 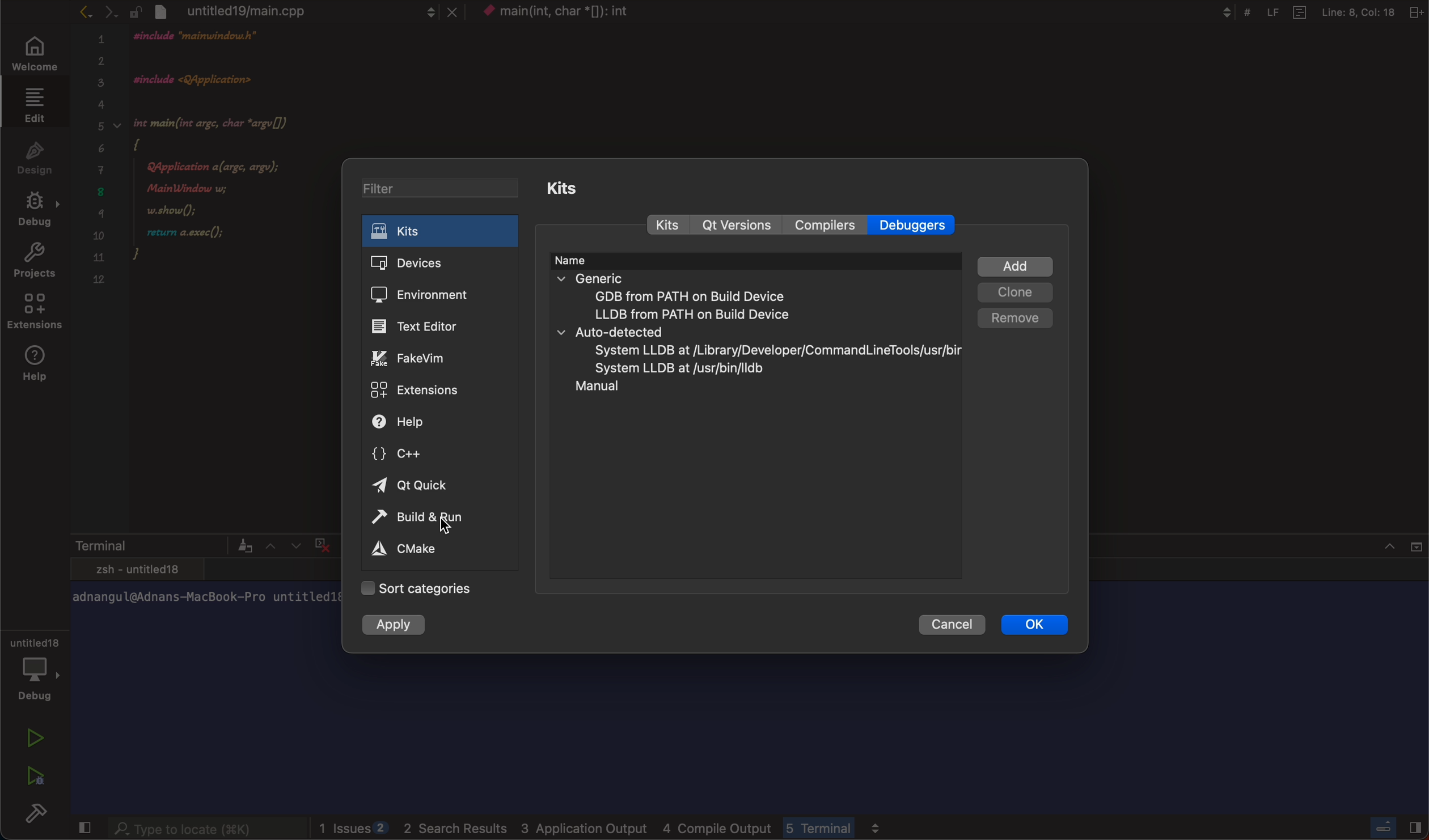 I want to click on c++, so click(x=421, y=453).